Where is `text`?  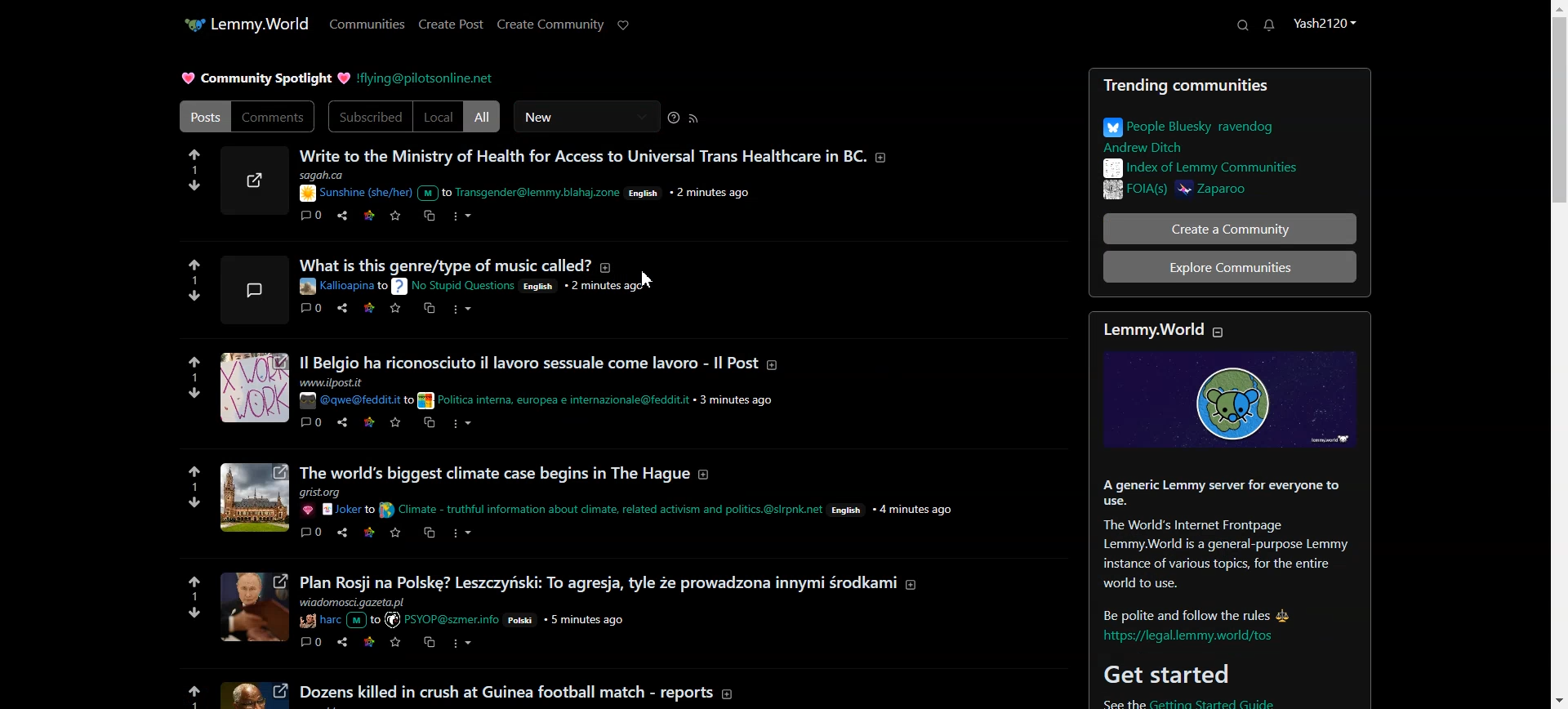 text is located at coordinates (338, 512).